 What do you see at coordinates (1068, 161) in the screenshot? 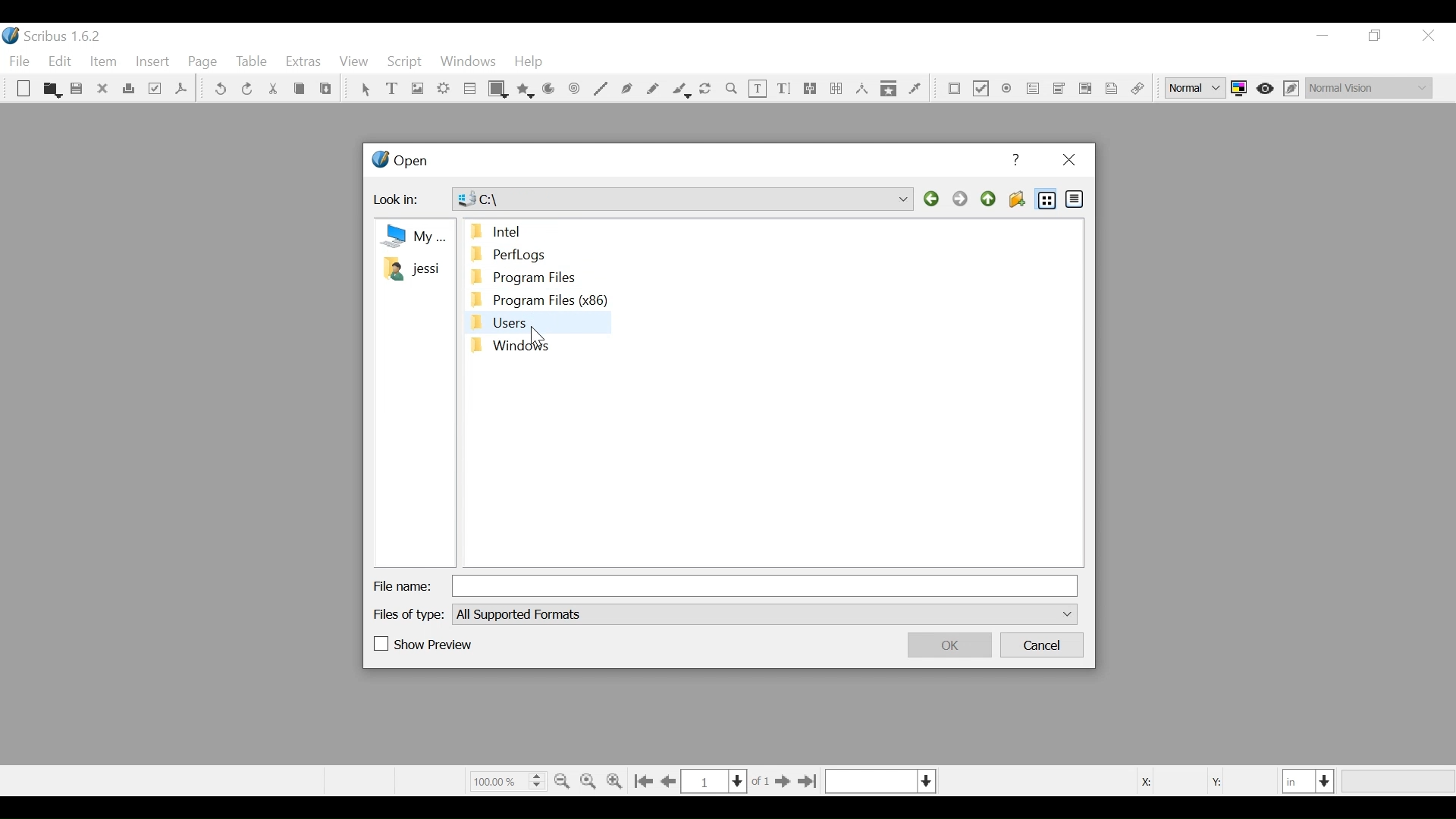
I see `Close` at bounding box center [1068, 161].